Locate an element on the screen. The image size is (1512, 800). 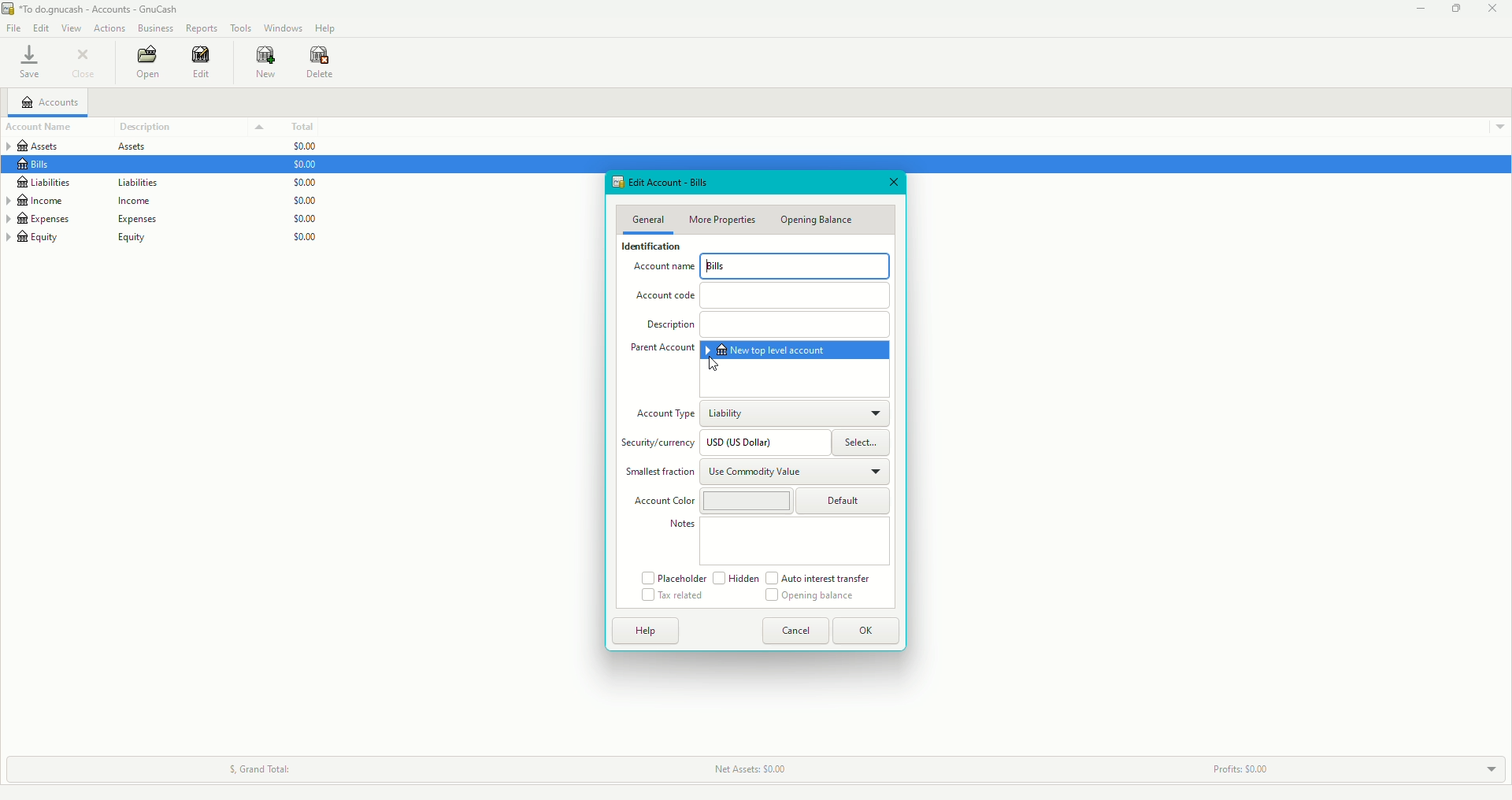
Notes is located at coordinates (680, 527).